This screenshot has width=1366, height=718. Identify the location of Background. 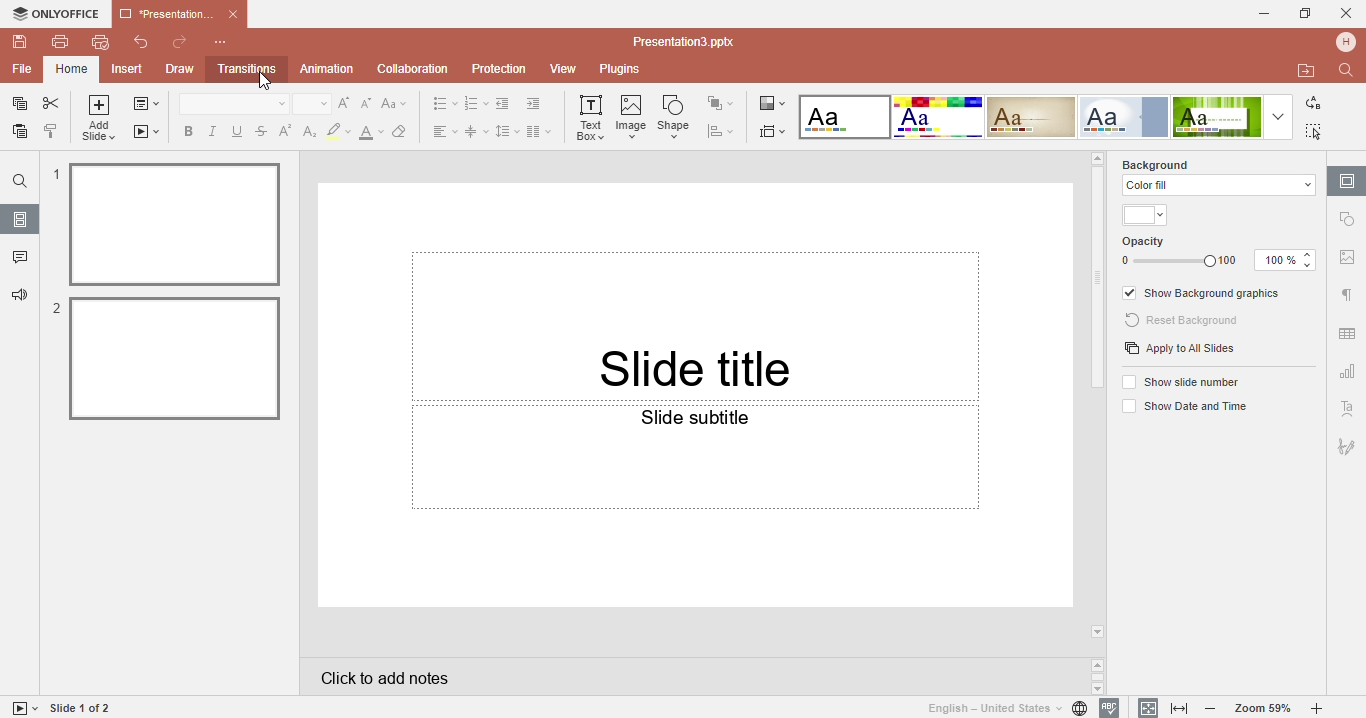
(1172, 163).